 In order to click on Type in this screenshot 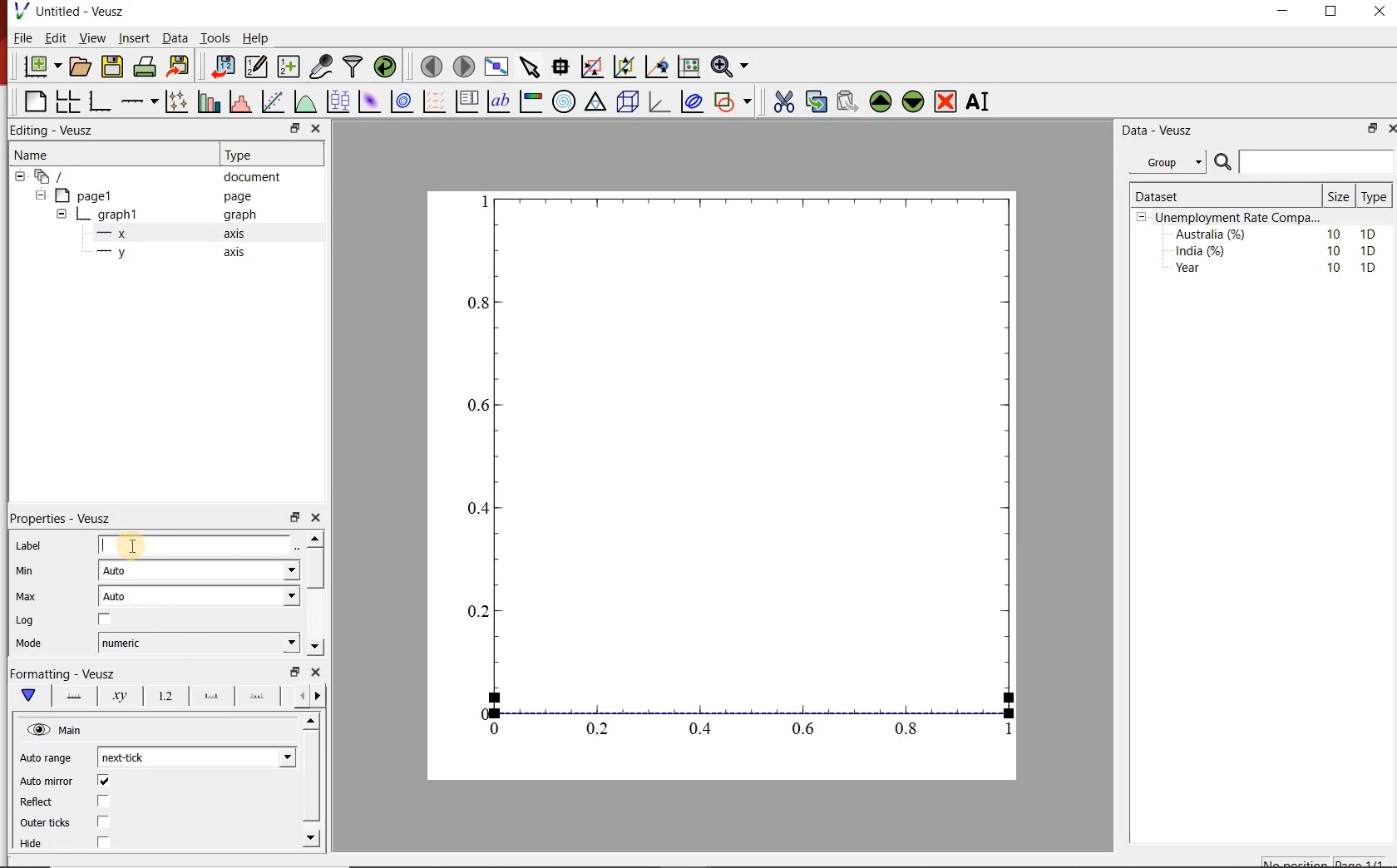, I will do `click(1373, 197)`.